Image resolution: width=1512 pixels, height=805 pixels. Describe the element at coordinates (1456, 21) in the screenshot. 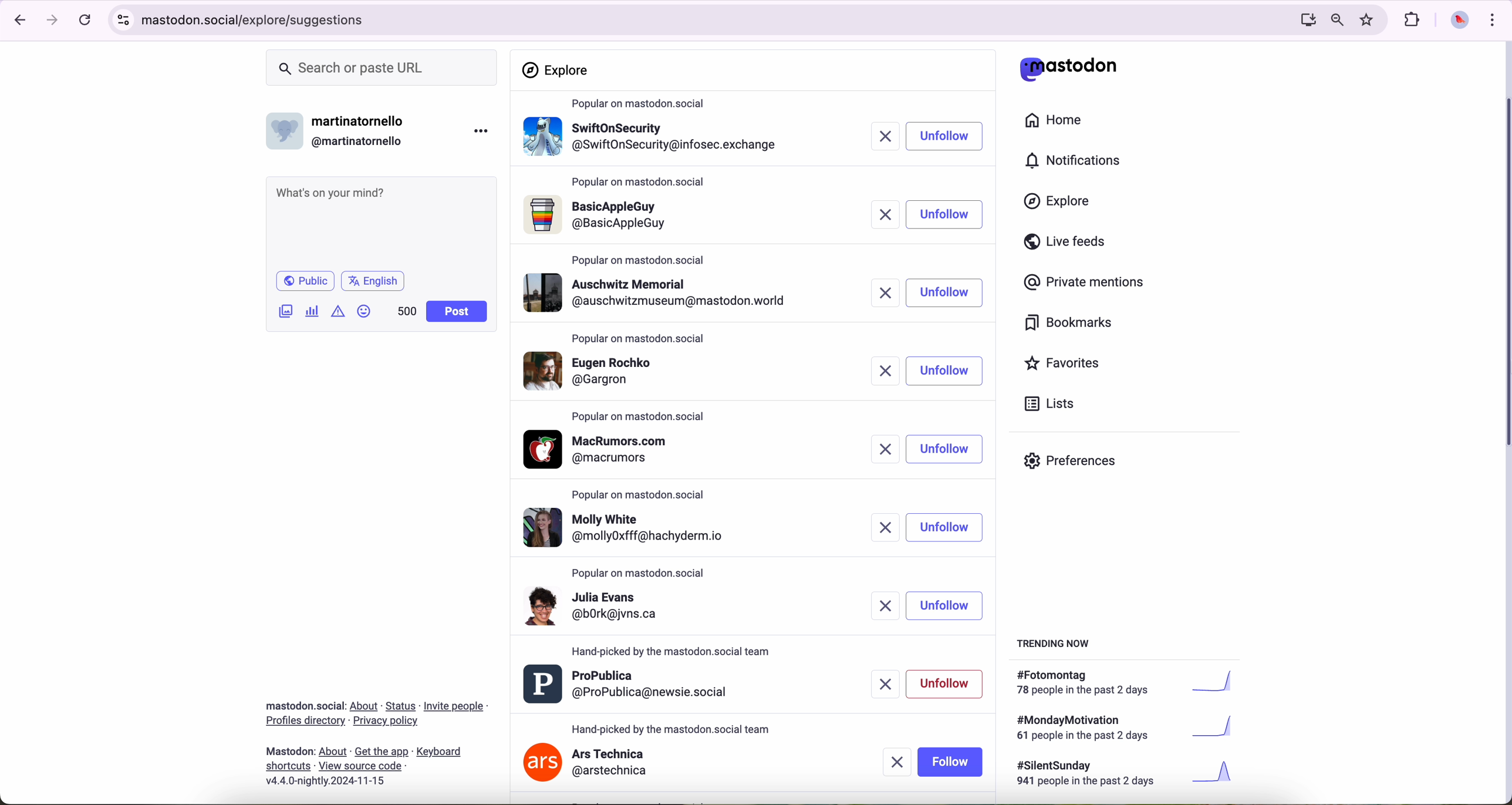

I see `profile picture` at that location.